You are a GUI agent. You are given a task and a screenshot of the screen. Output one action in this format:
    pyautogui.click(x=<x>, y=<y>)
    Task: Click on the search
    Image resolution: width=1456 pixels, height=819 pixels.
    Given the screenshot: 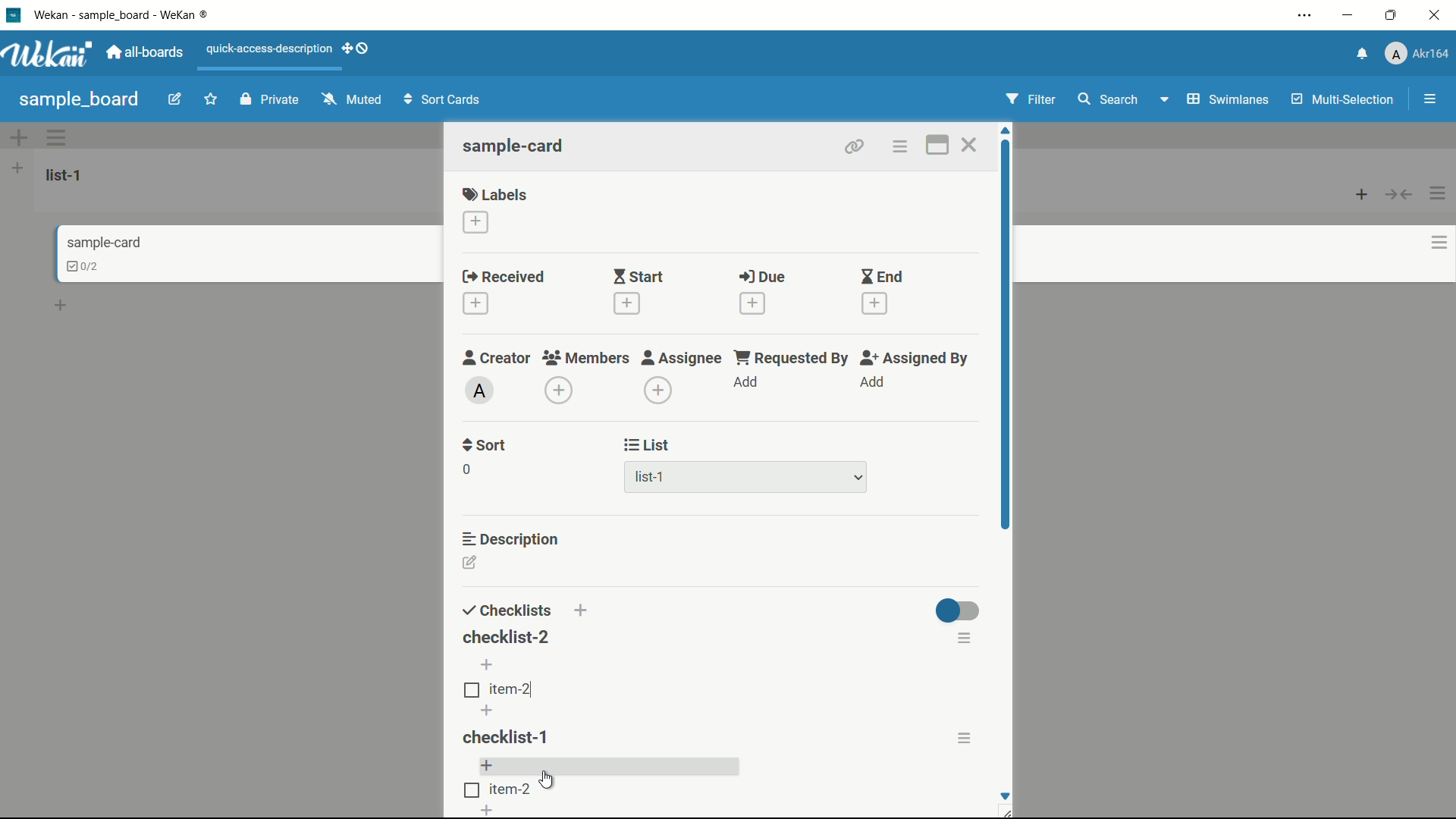 What is the action you would take?
    pyautogui.click(x=1106, y=99)
    